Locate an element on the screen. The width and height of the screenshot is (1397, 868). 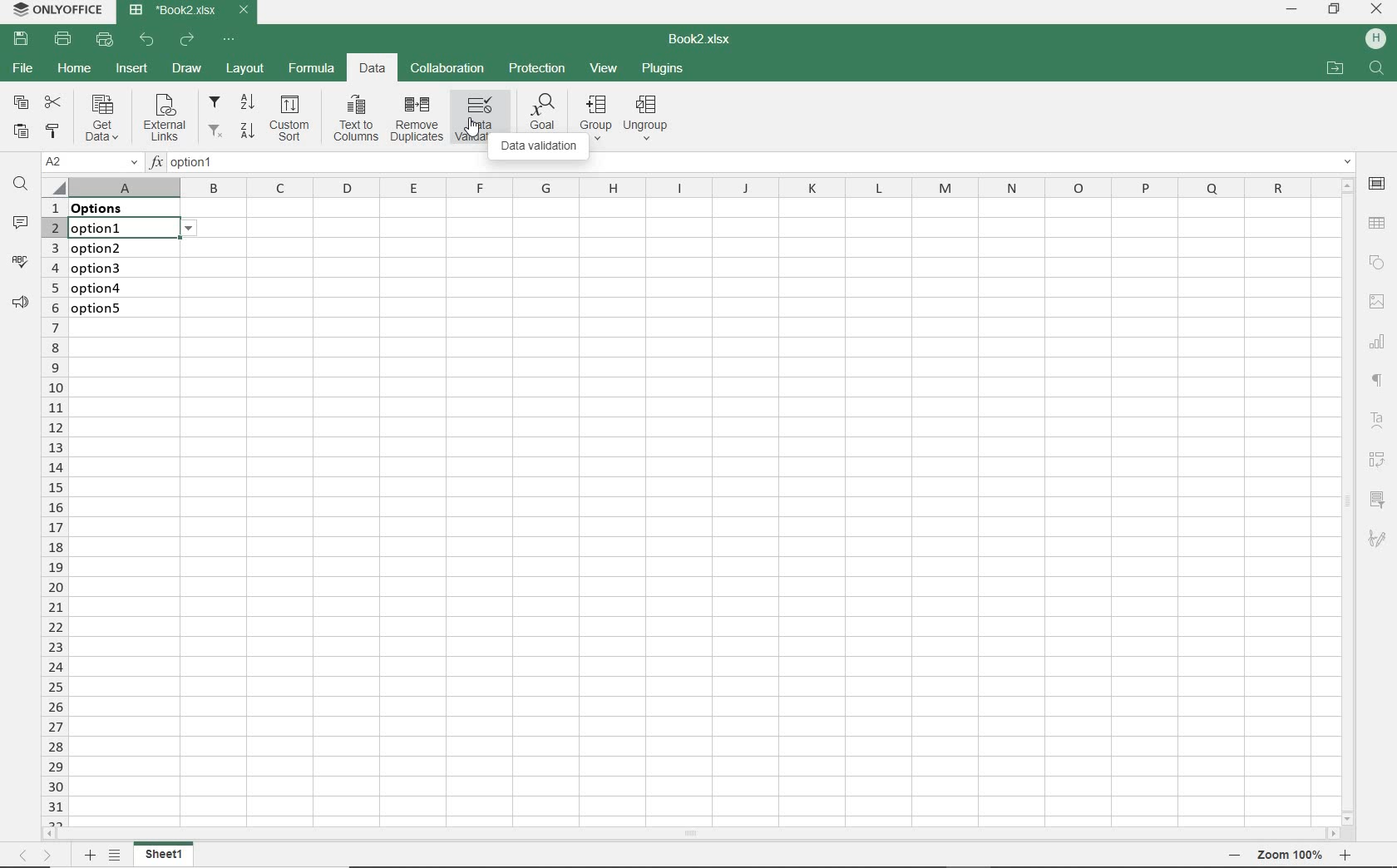
LAYOUT is located at coordinates (245, 68).